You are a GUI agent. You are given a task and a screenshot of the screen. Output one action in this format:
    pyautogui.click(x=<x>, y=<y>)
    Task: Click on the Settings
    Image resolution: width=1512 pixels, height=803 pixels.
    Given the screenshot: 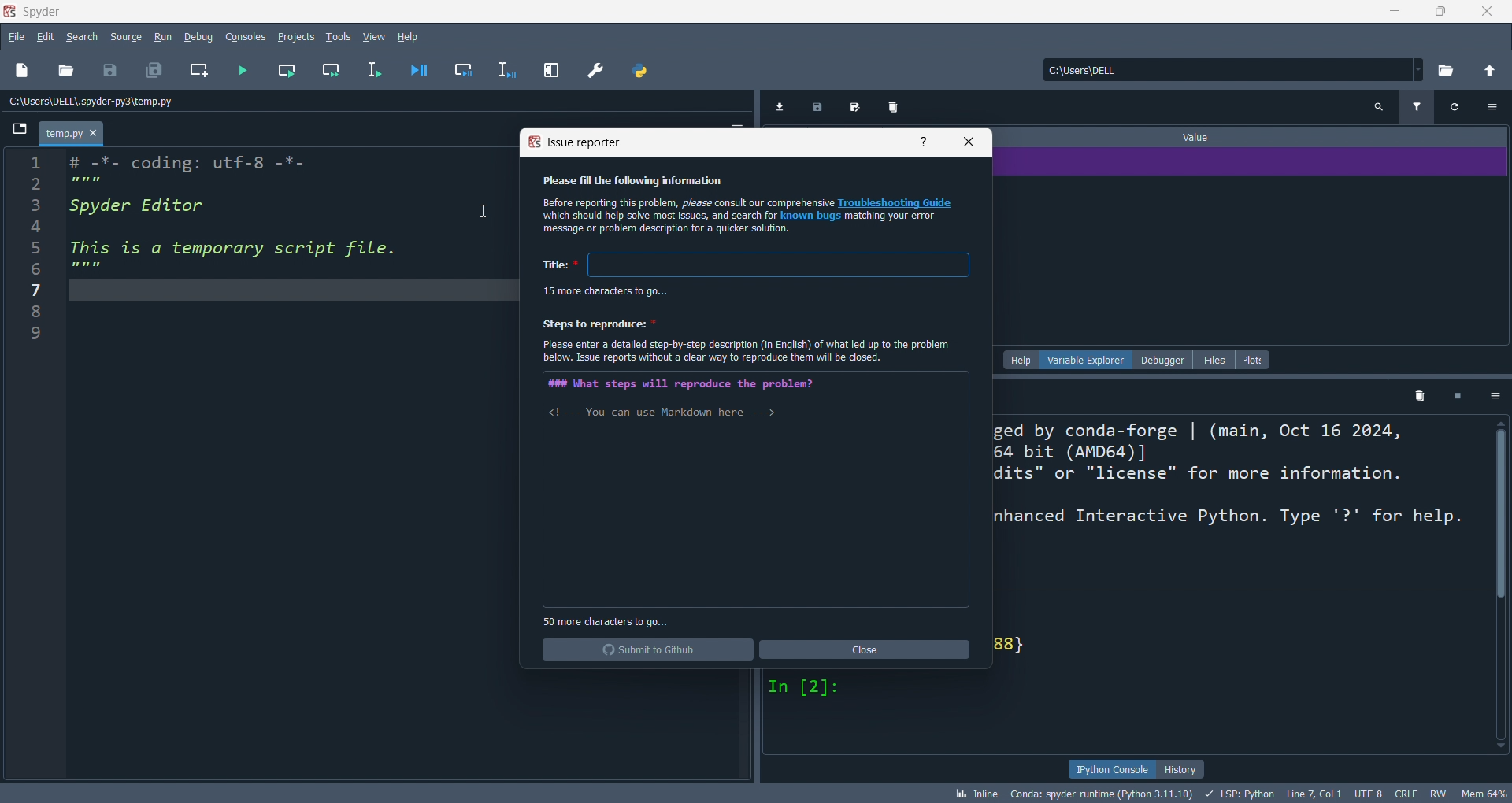 What is the action you would take?
    pyautogui.click(x=1493, y=106)
    